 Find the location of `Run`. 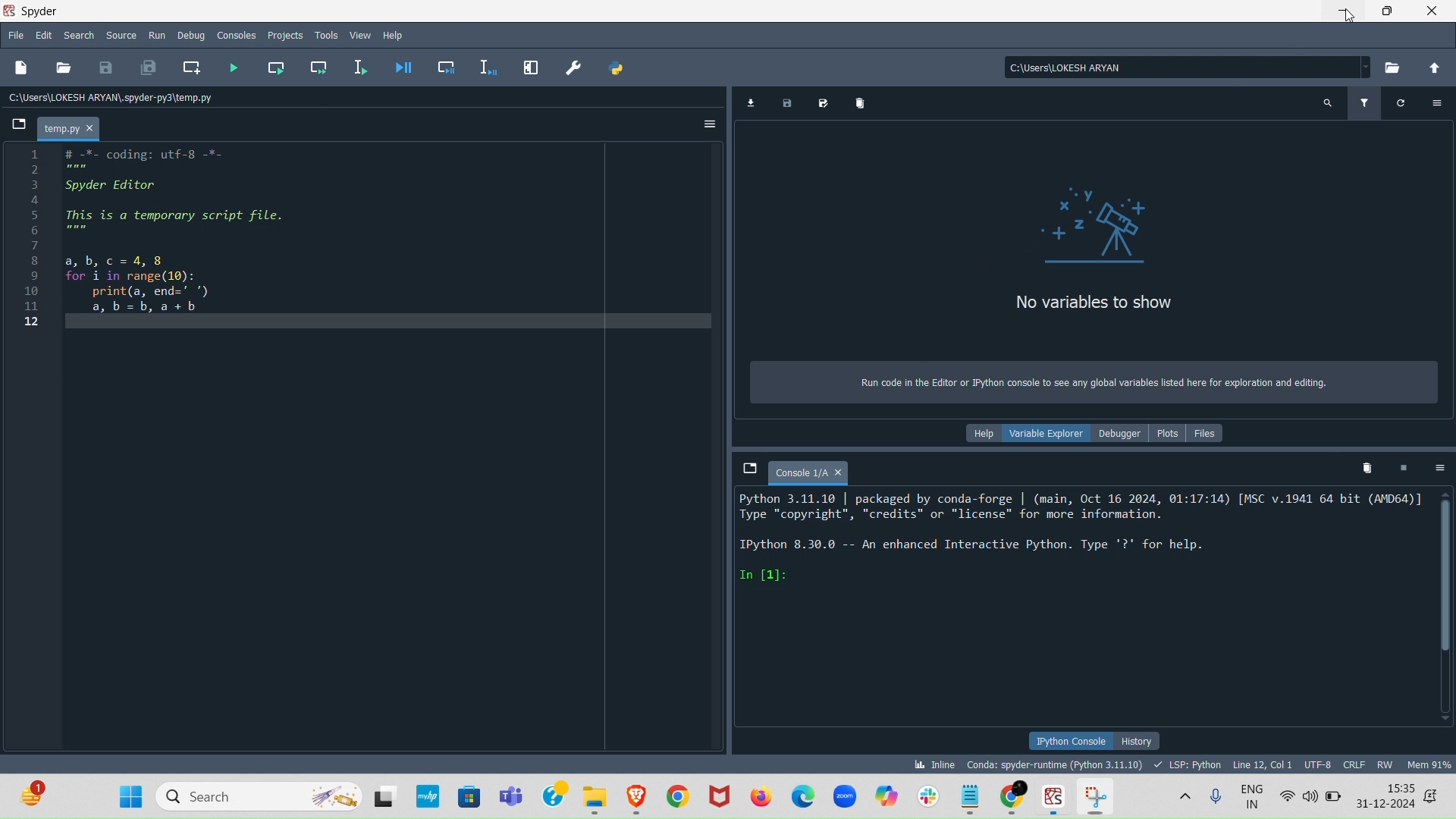

Run is located at coordinates (156, 32).